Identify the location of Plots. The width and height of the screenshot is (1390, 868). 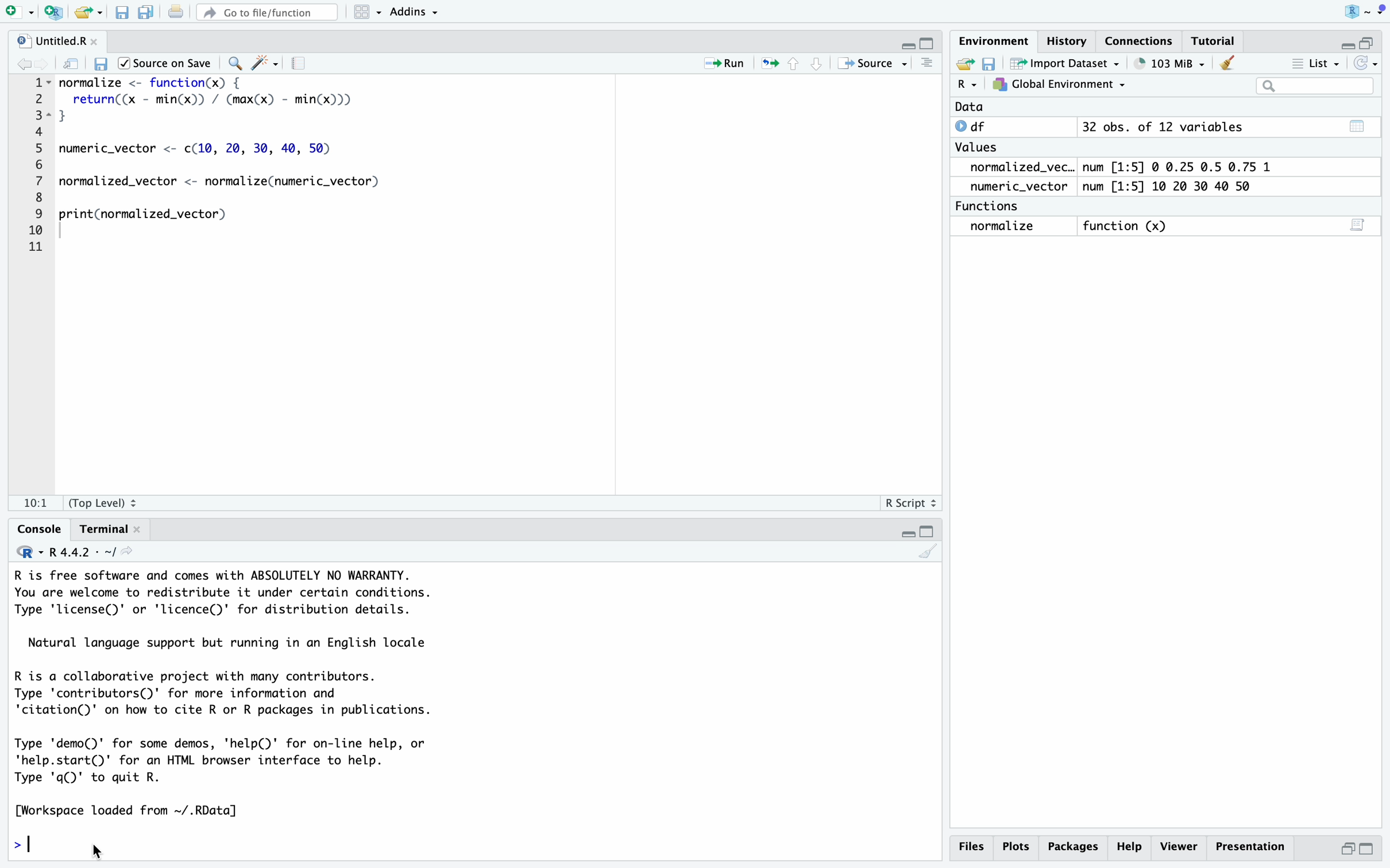
(1019, 846).